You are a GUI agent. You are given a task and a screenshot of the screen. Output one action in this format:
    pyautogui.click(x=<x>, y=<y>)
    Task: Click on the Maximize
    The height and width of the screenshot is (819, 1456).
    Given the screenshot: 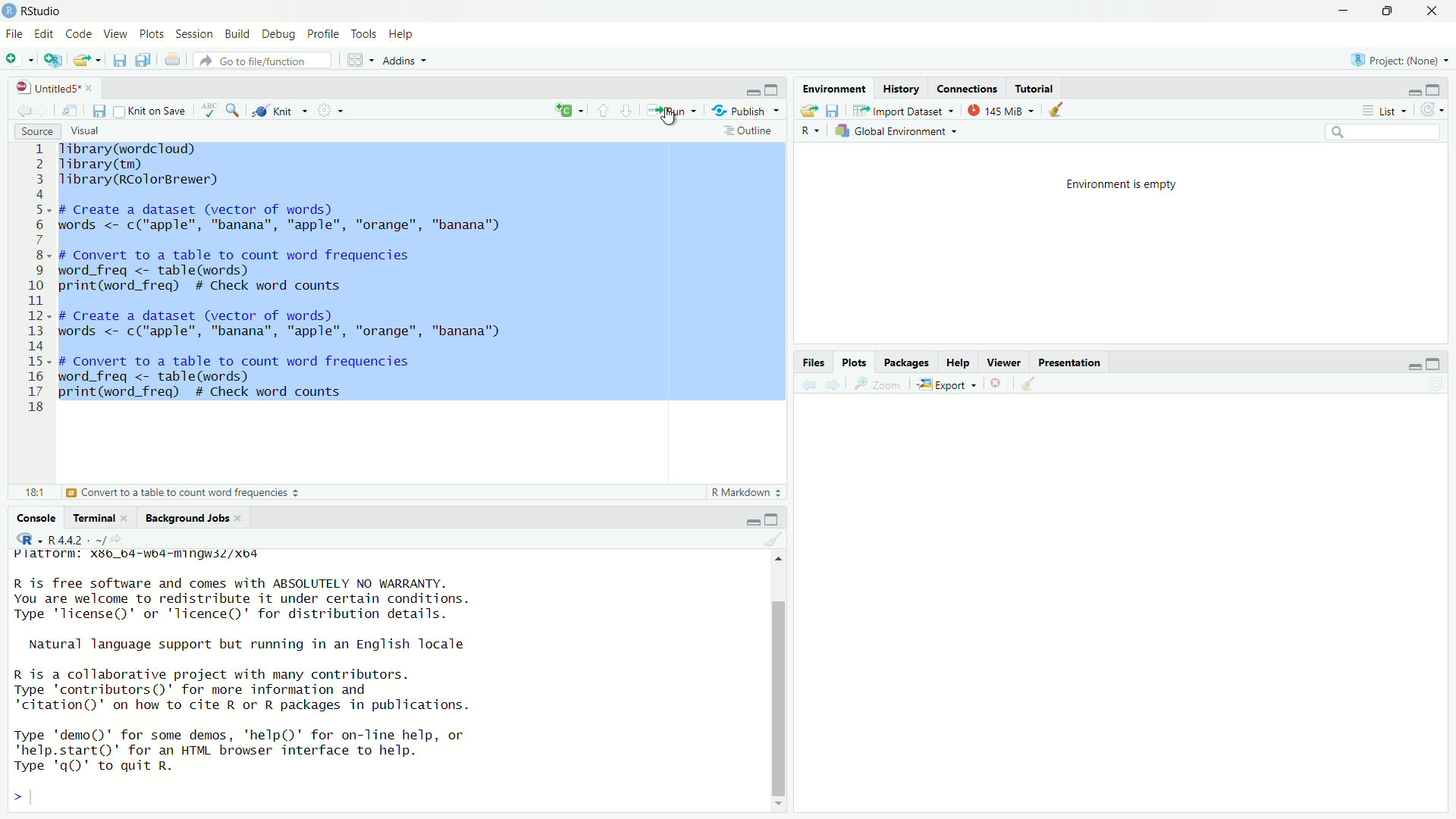 What is the action you would take?
    pyautogui.click(x=774, y=90)
    